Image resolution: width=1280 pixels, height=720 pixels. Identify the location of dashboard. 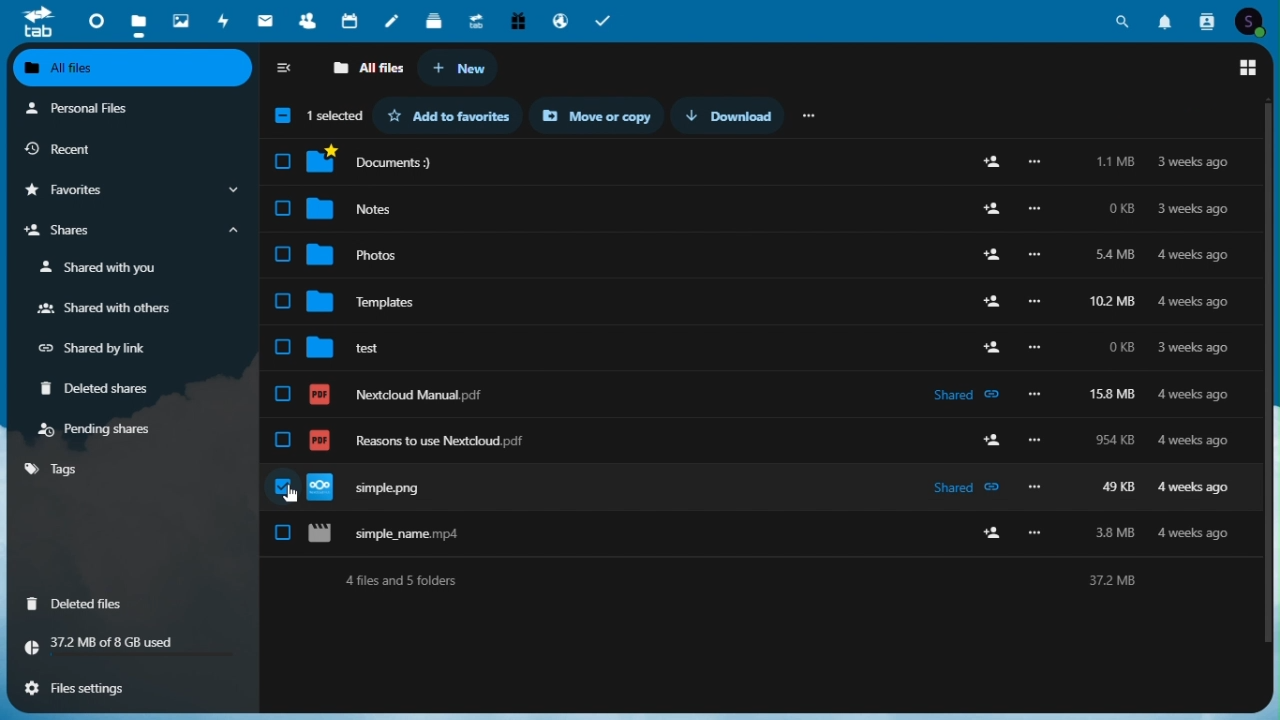
(91, 19).